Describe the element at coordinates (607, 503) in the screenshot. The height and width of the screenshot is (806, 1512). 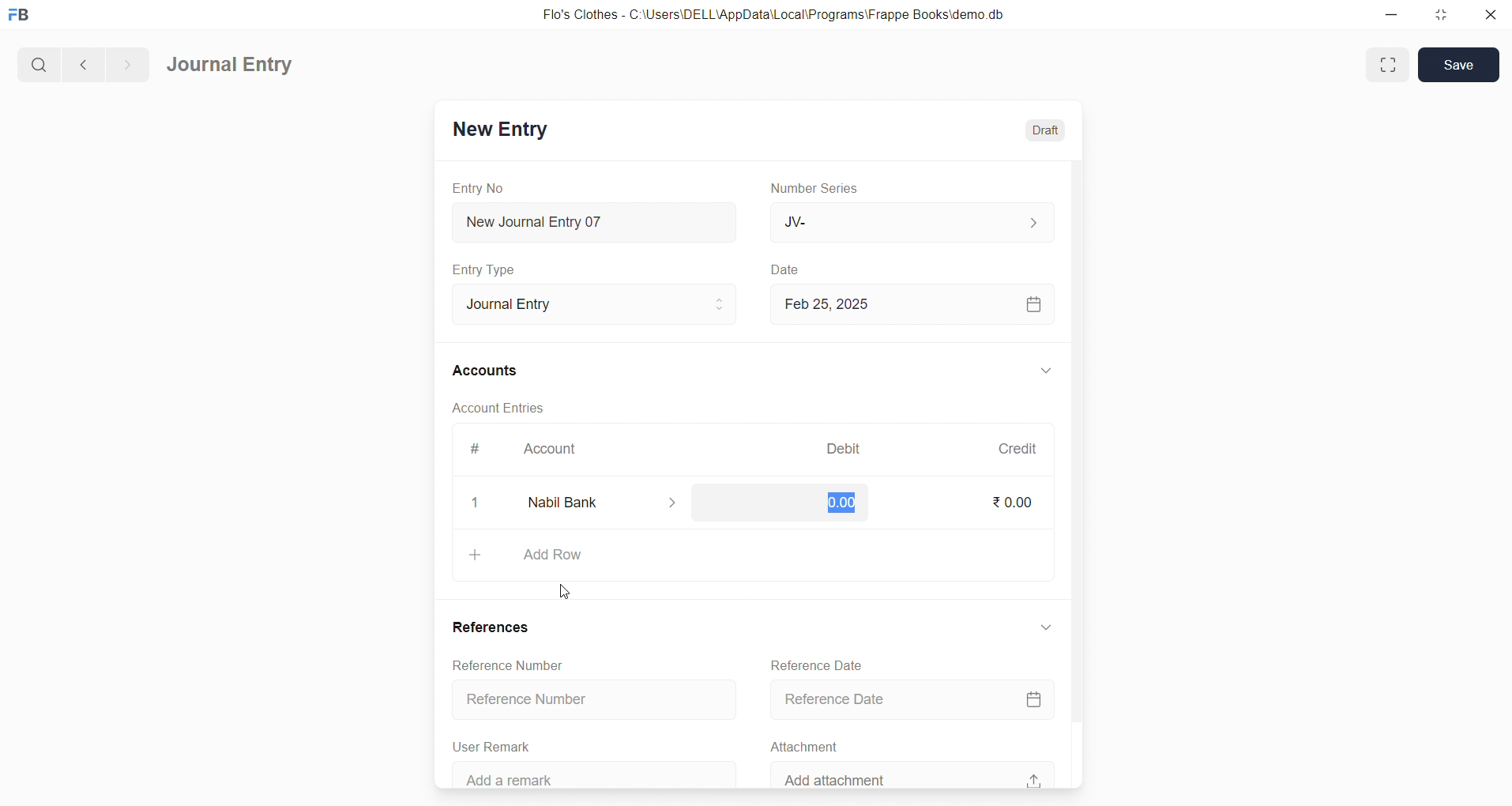
I see `Nabil Bank` at that location.